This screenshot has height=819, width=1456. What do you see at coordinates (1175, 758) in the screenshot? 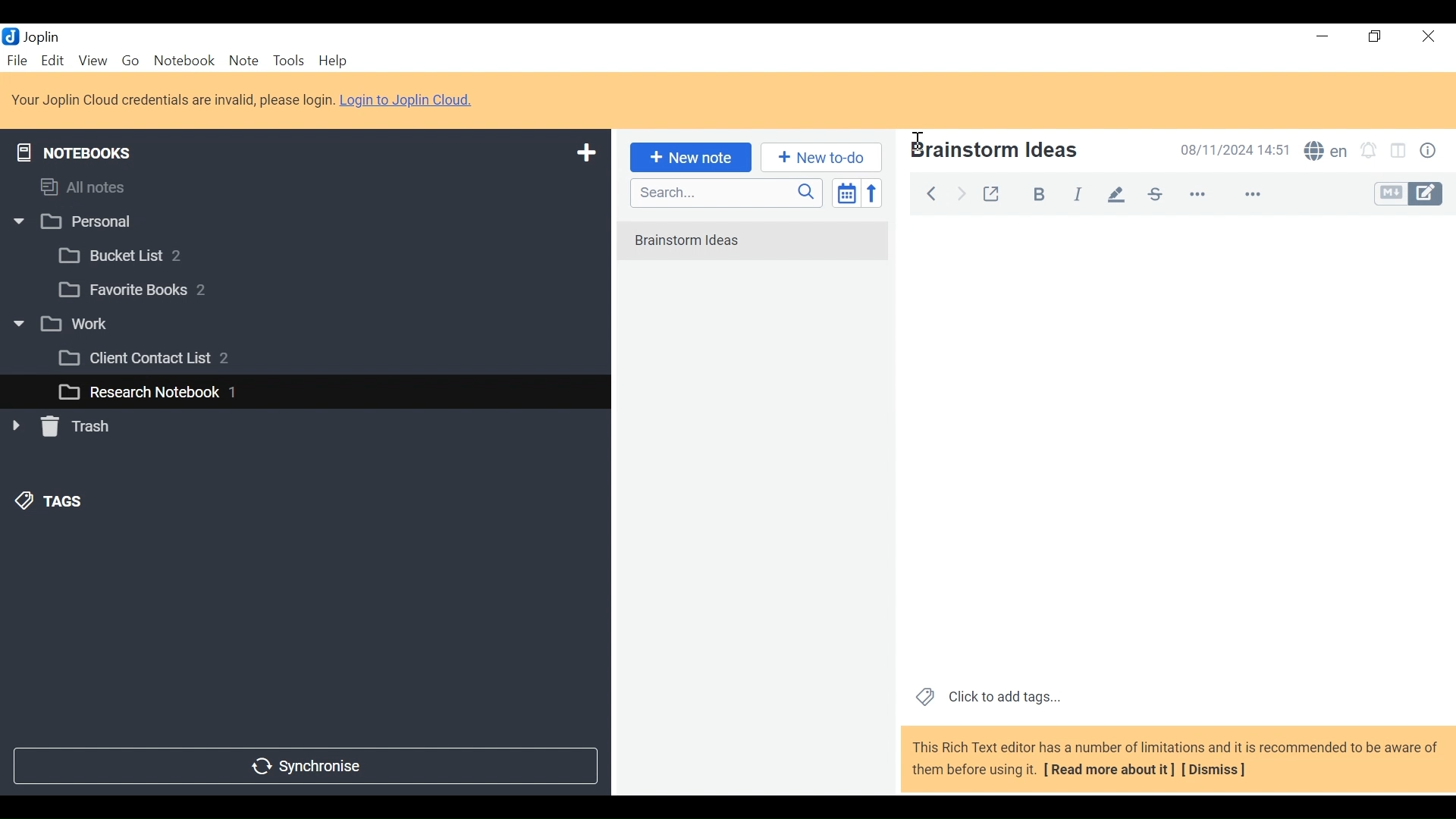
I see `This Rich Text editor has a number of limitations and it is recommended to be aware of
them before using it. [ Read more about it] [Dismiss]` at bounding box center [1175, 758].